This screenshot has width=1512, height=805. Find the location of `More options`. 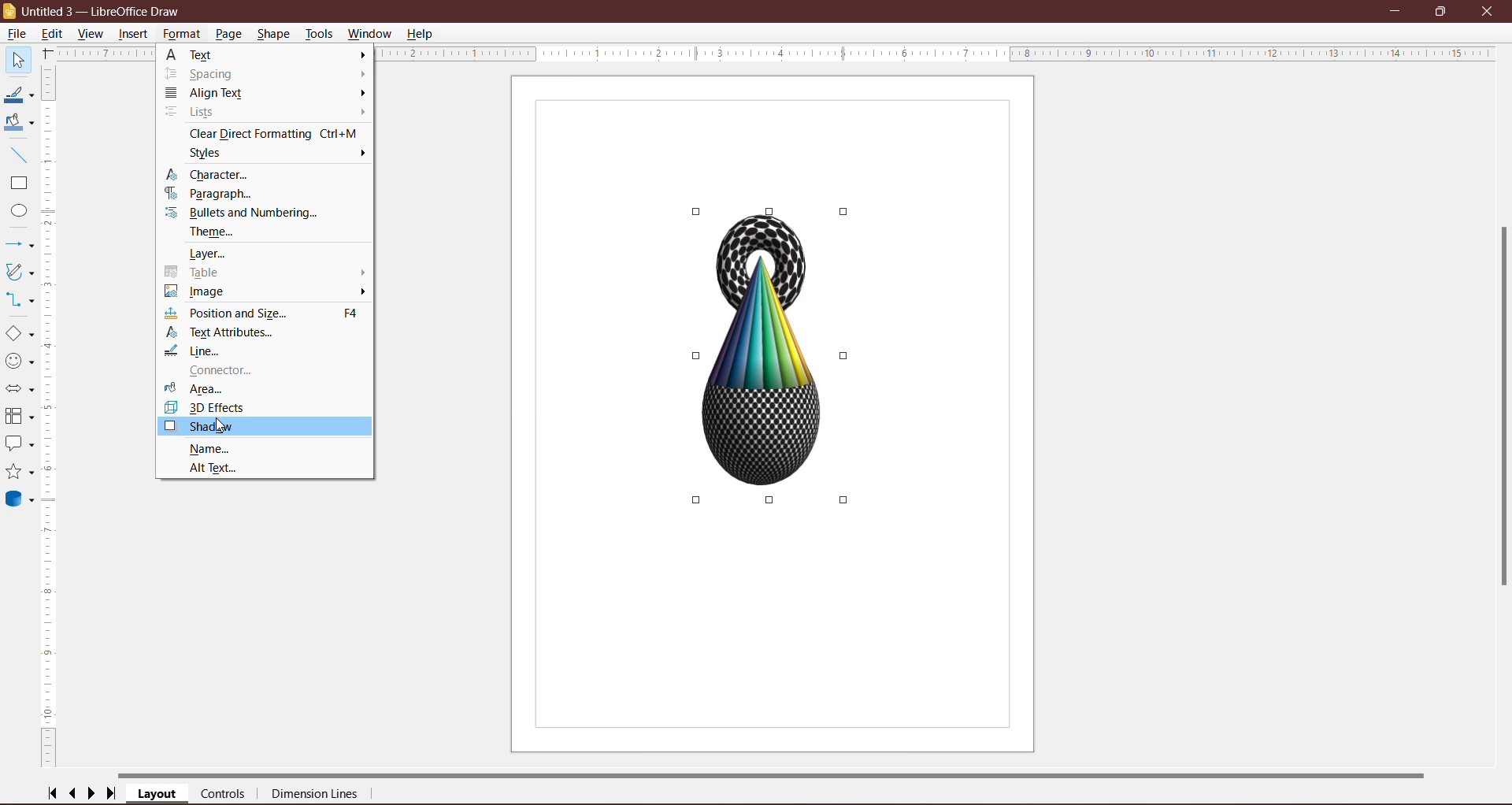

More options is located at coordinates (361, 281).